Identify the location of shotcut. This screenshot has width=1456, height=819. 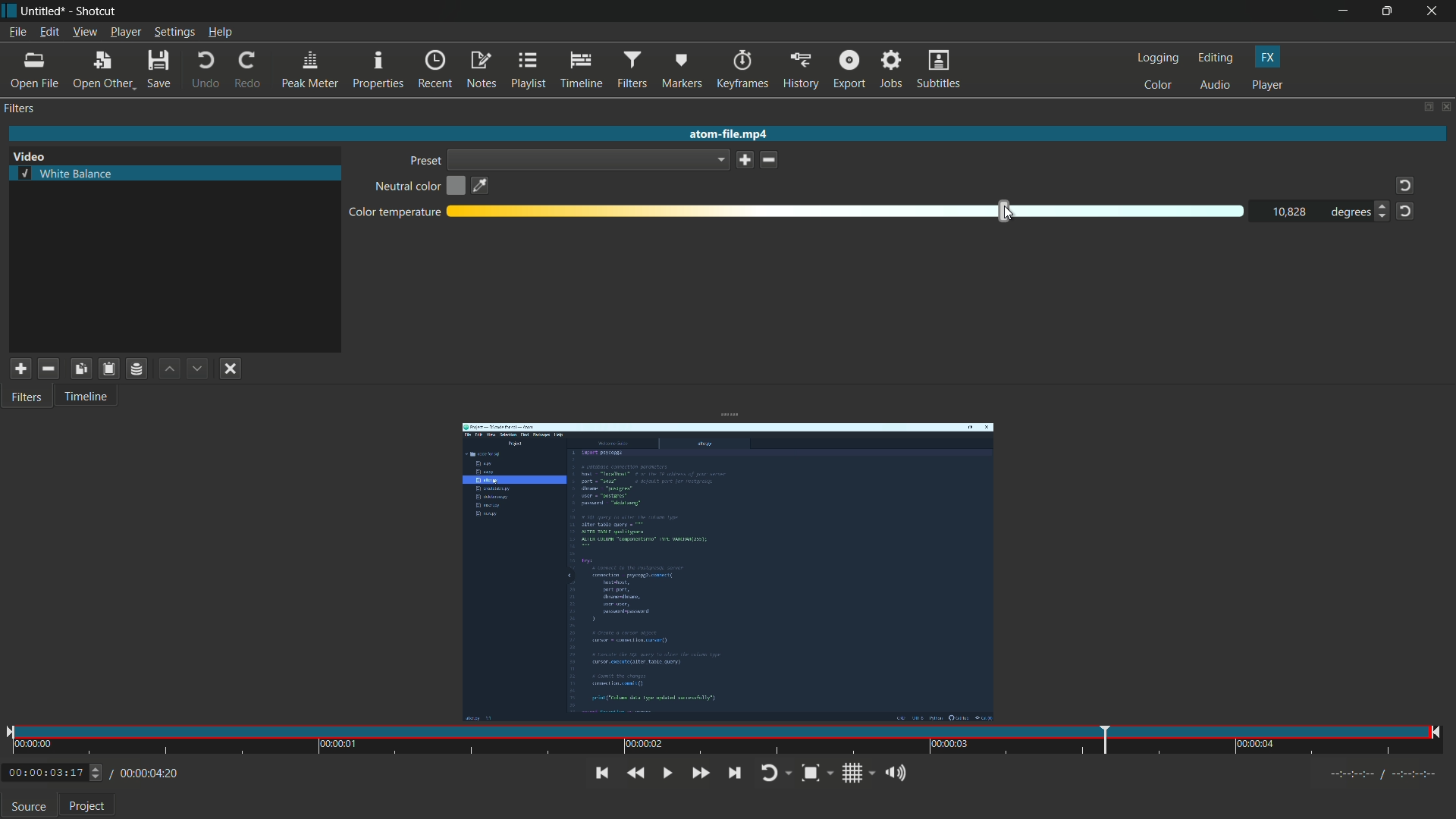
(97, 11).